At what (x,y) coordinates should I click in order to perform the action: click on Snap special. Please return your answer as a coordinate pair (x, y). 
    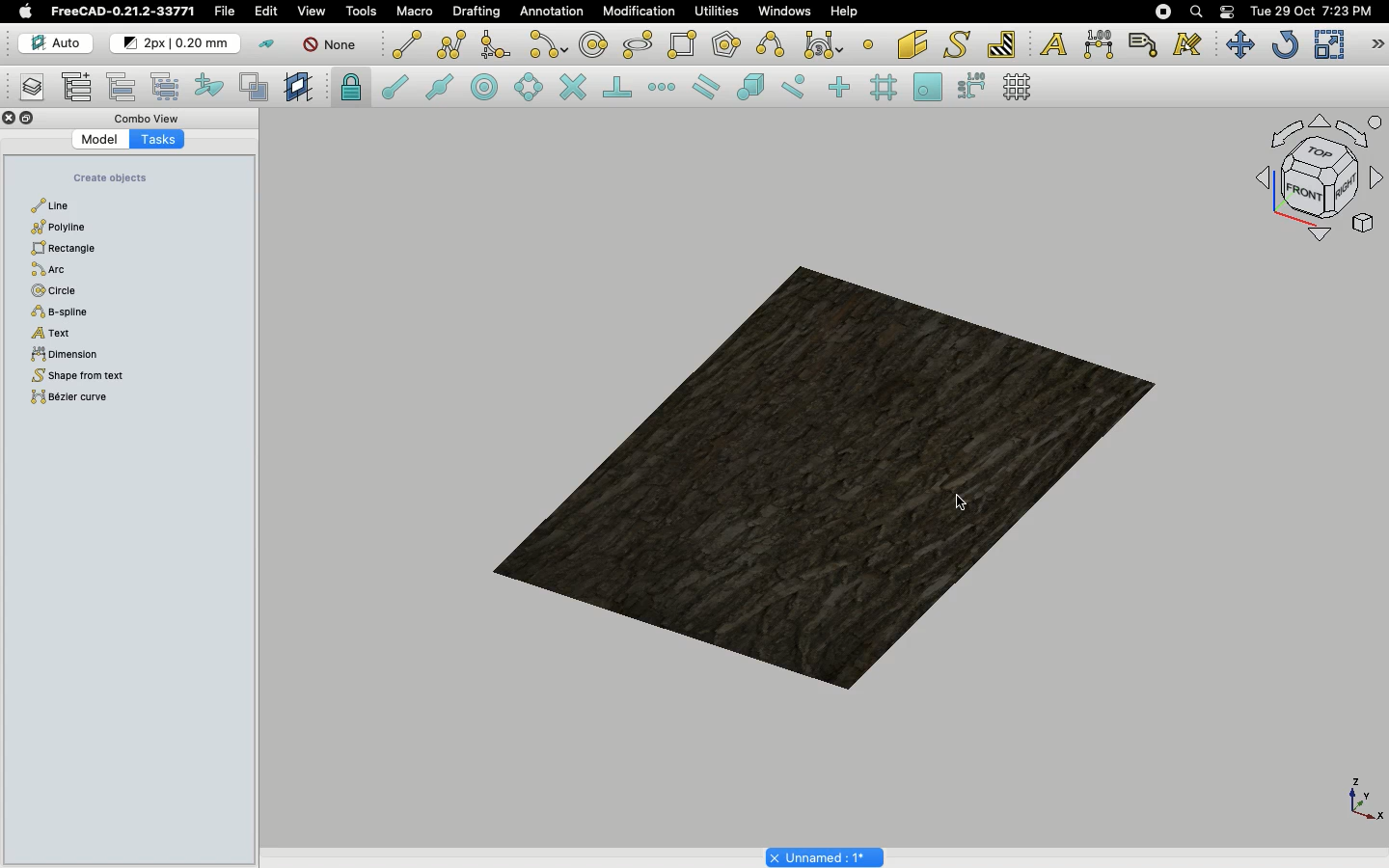
    Looking at the image, I should click on (748, 85).